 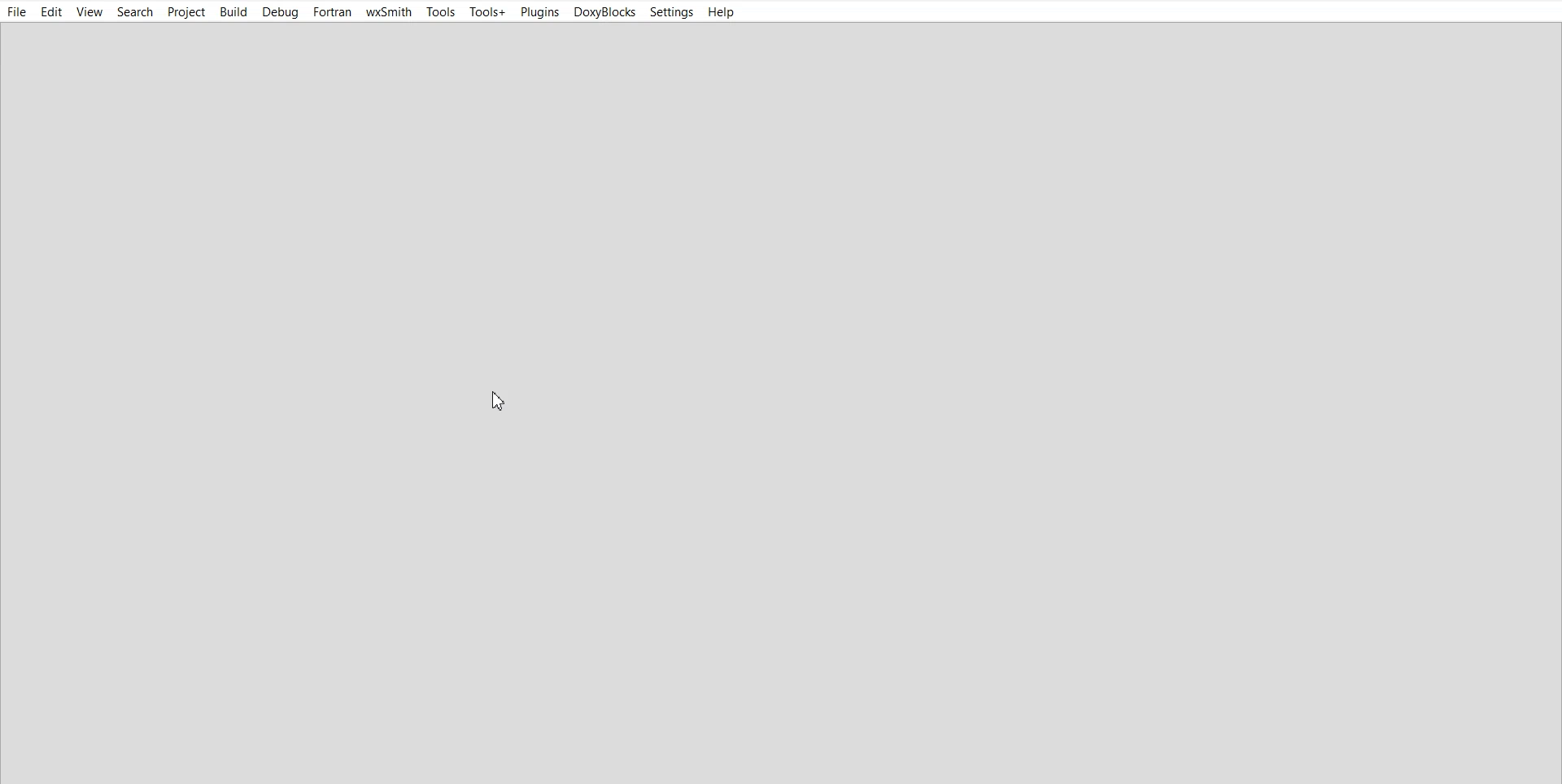 What do you see at coordinates (52, 11) in the screenshot?
I see `Edit` at bounding box center [52, 11].